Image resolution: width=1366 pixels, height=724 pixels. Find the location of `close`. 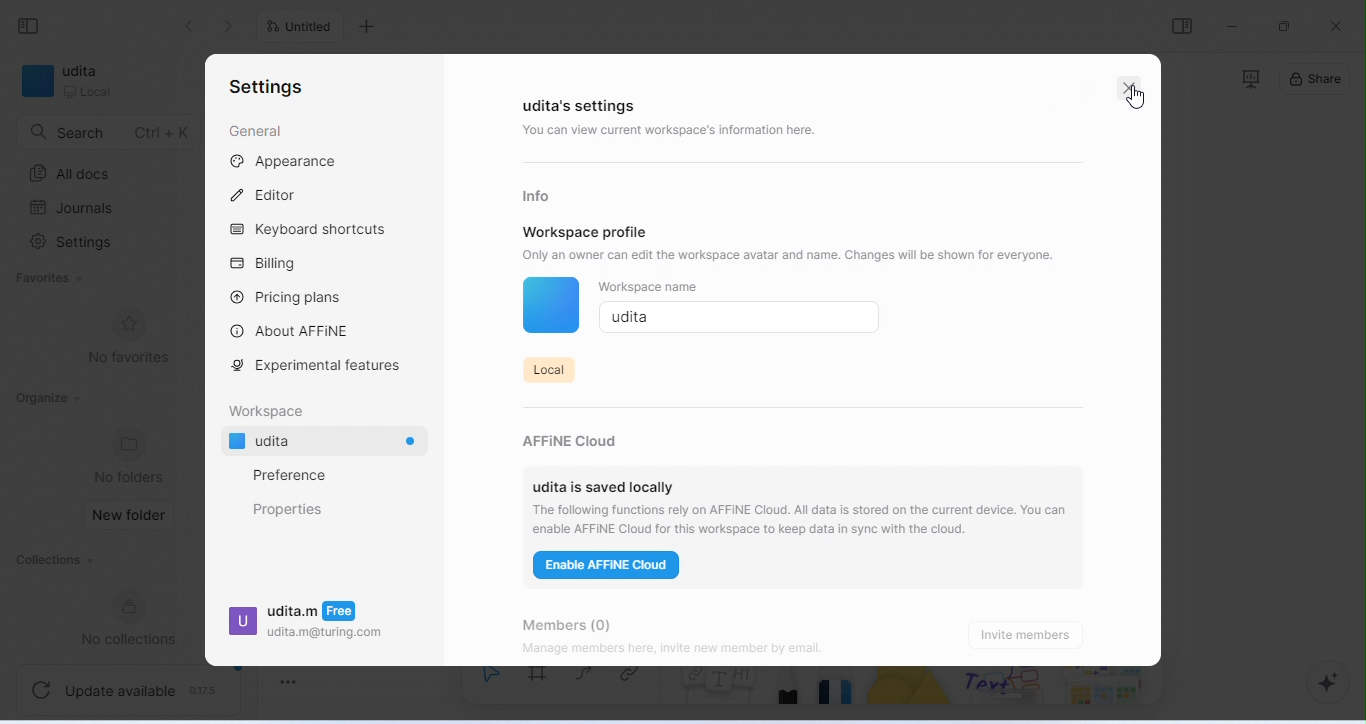

close is located at coordinates (1336, 26).